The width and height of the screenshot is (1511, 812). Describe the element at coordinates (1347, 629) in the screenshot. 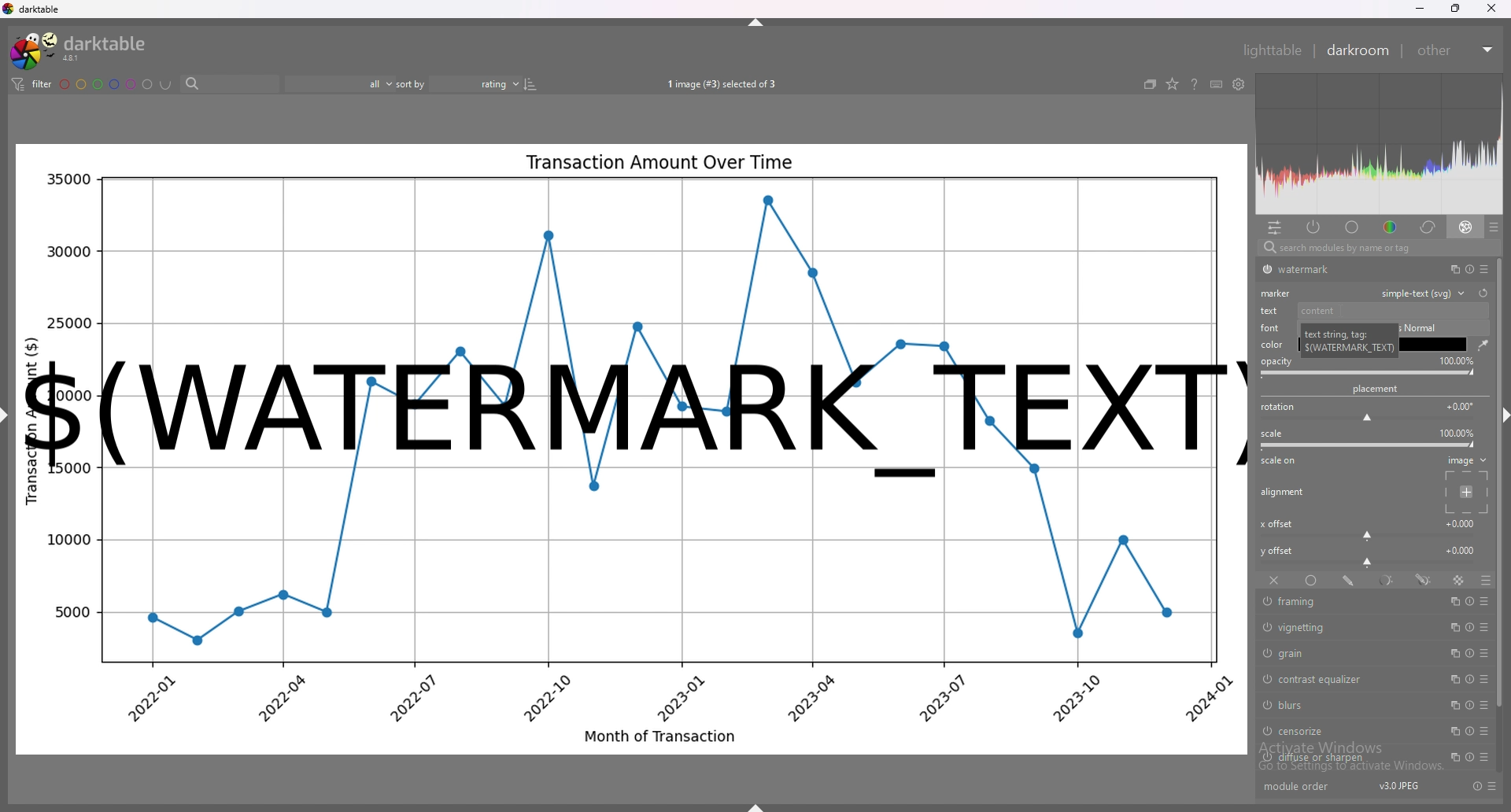

I see `vignetting` at that location.